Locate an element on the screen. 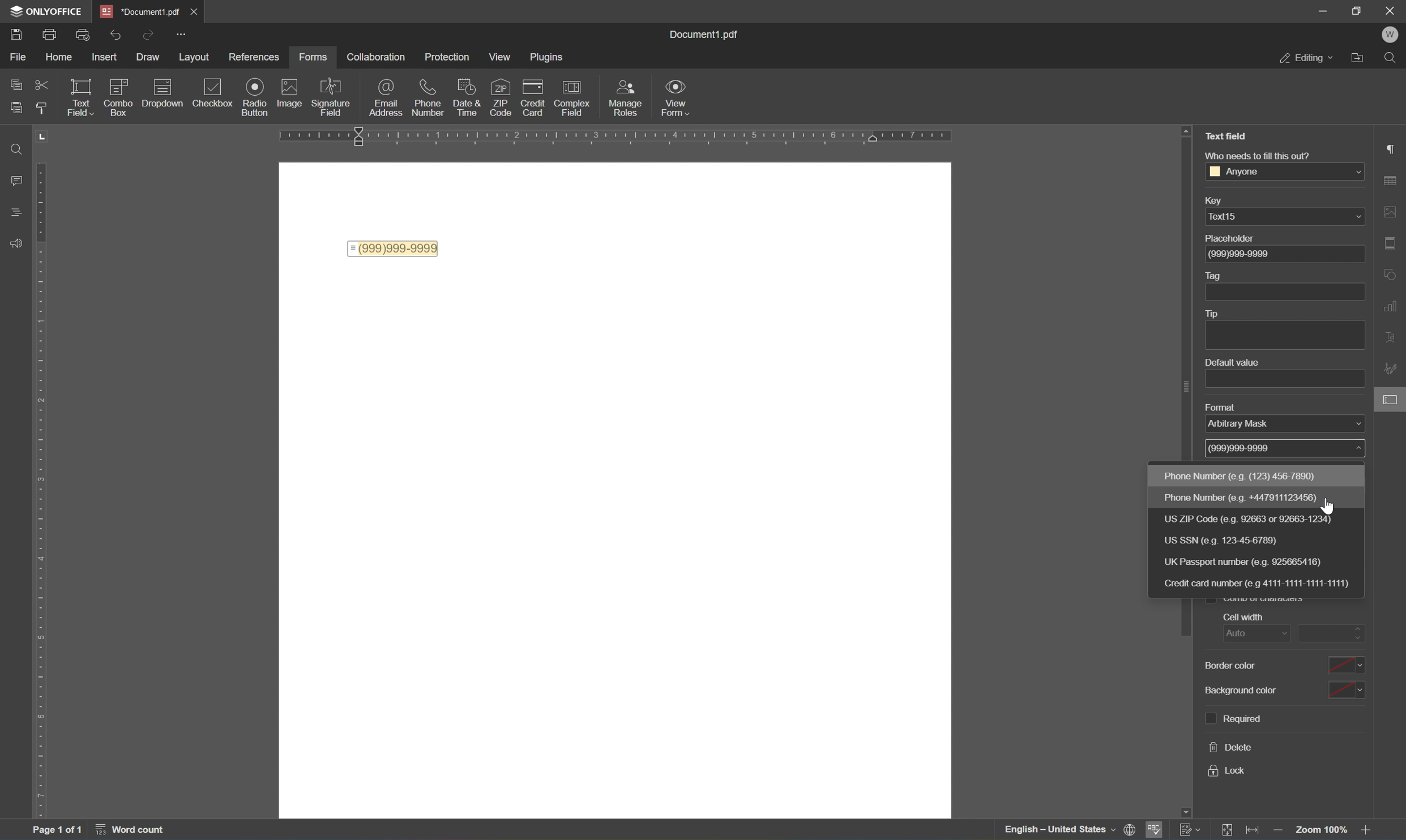 The image size is (1406, 840). fit to width is located at coordinates (1253, 829).